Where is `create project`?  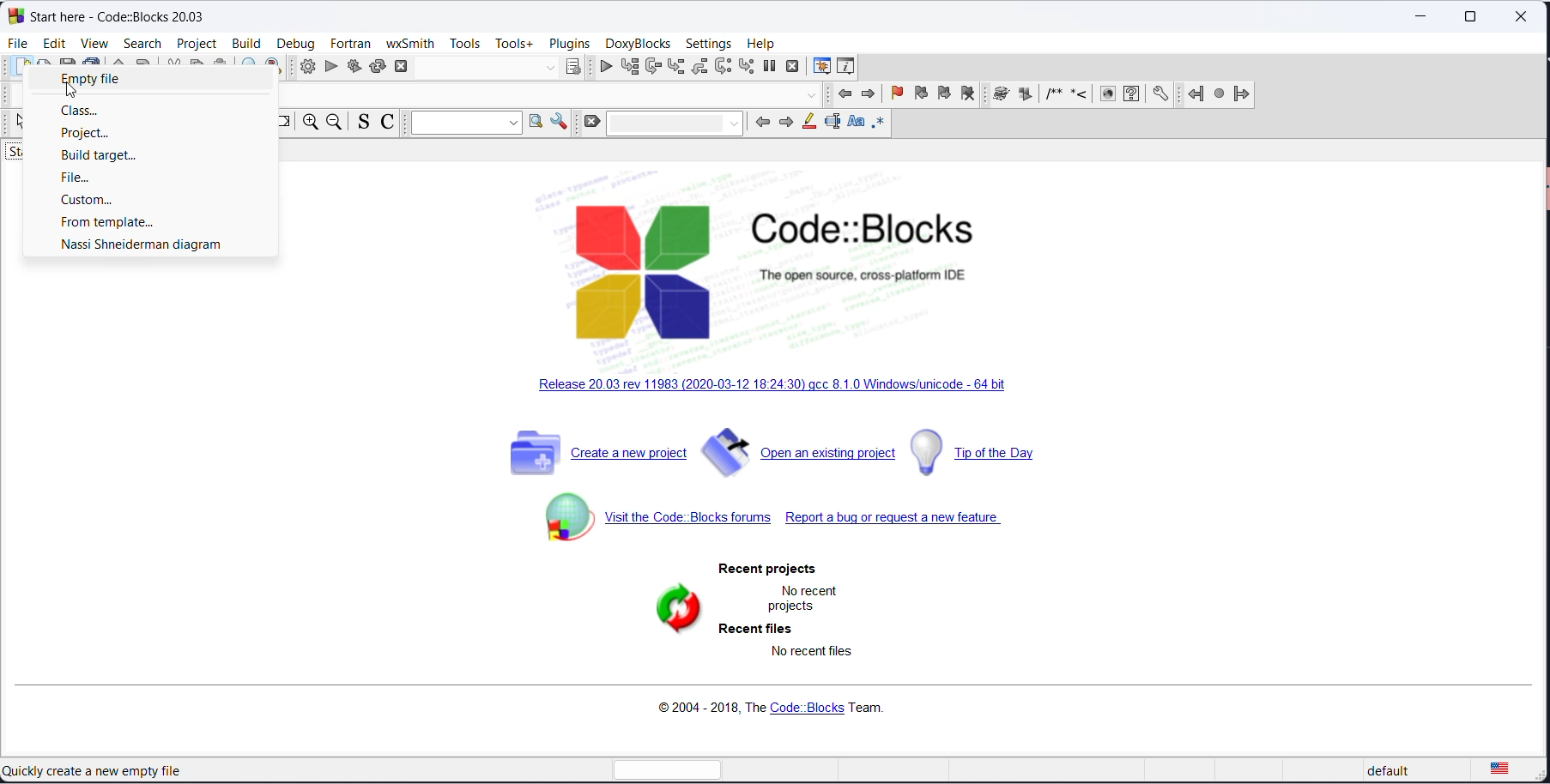 create project is located at coordinates (598, 449).